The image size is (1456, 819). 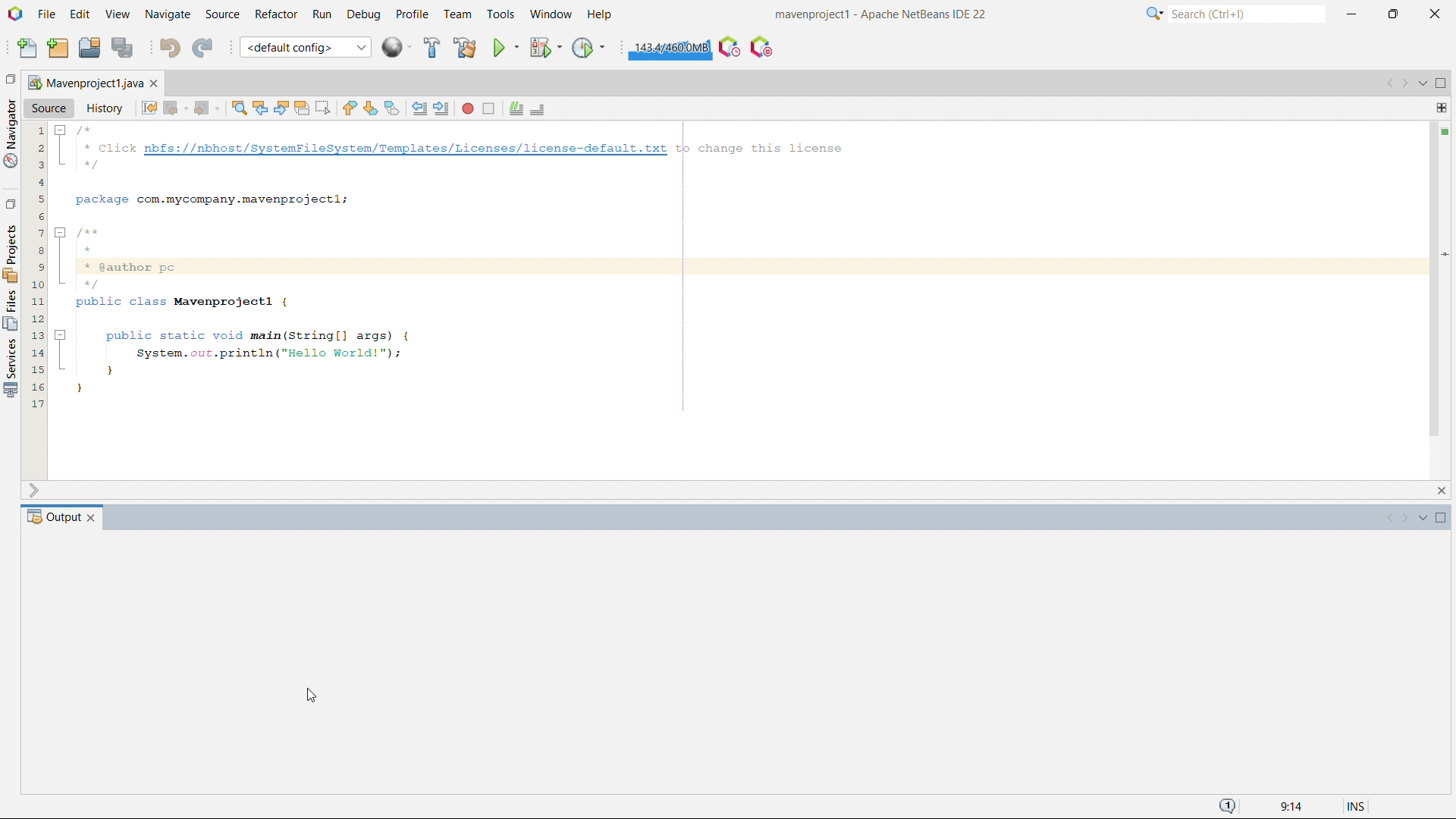 I want to click on window, so click(x=551, y=14).